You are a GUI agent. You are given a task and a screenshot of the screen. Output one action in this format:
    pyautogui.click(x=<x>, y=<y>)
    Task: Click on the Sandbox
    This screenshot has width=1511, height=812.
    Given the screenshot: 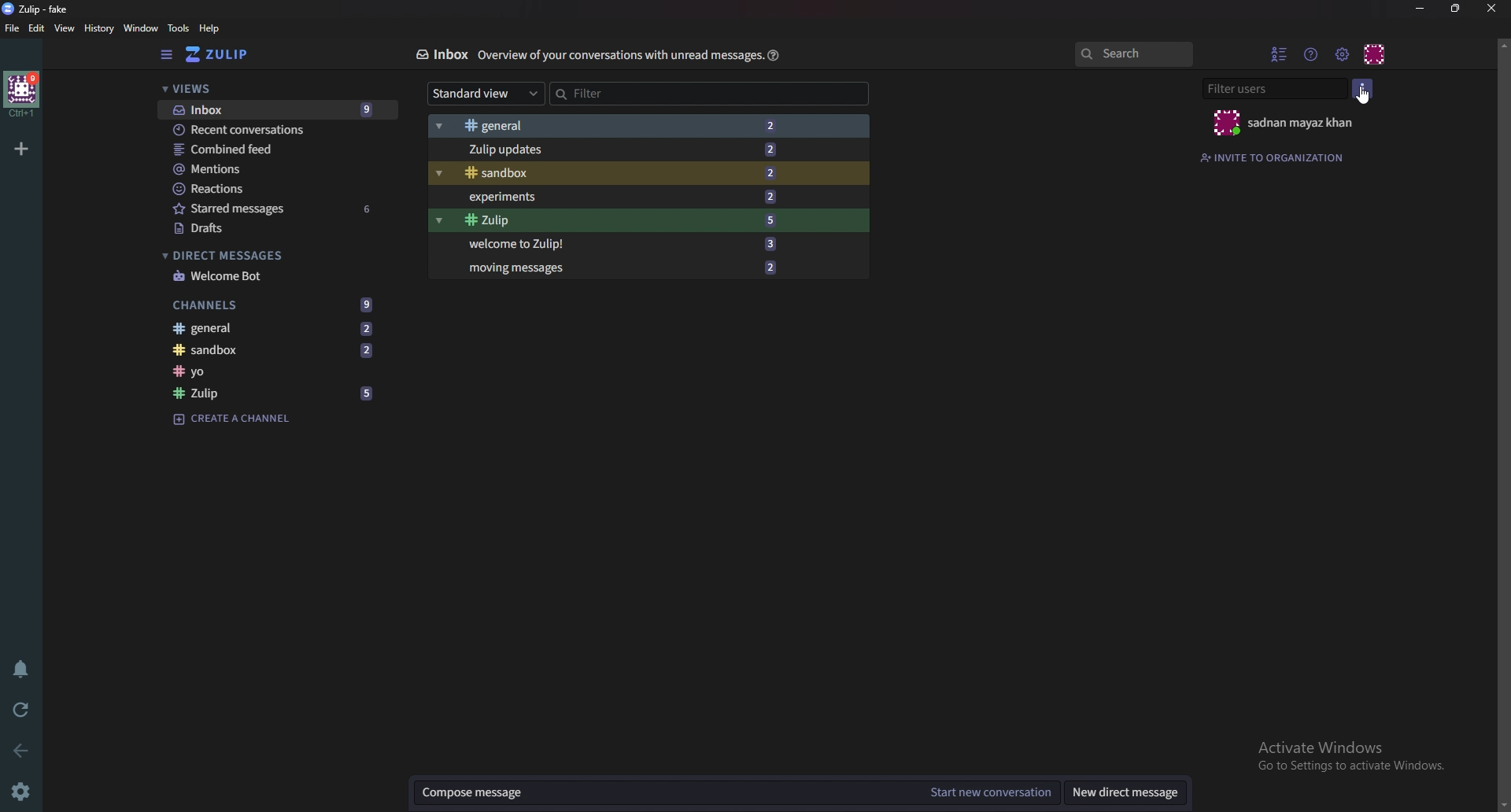 What is the action you would take?
    pyautogui.click(x=279, y=352)
    